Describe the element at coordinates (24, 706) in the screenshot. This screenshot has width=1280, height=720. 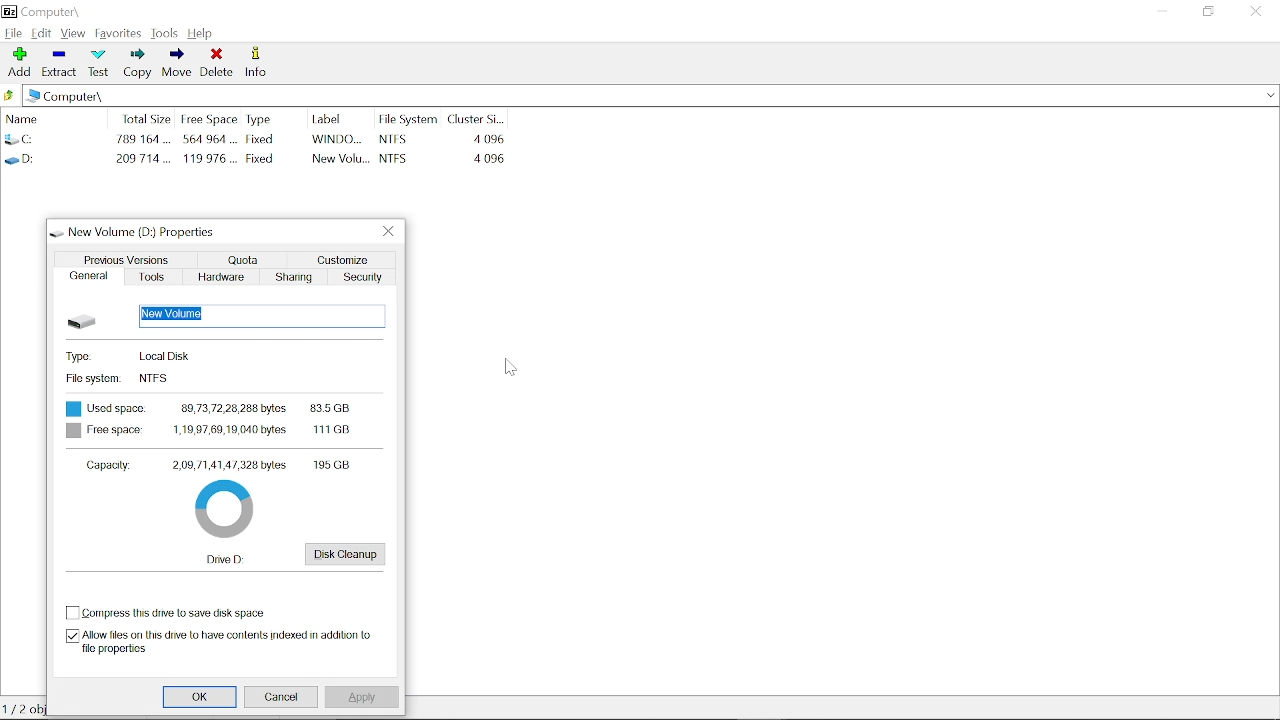
I see `0/2 ` at that location.